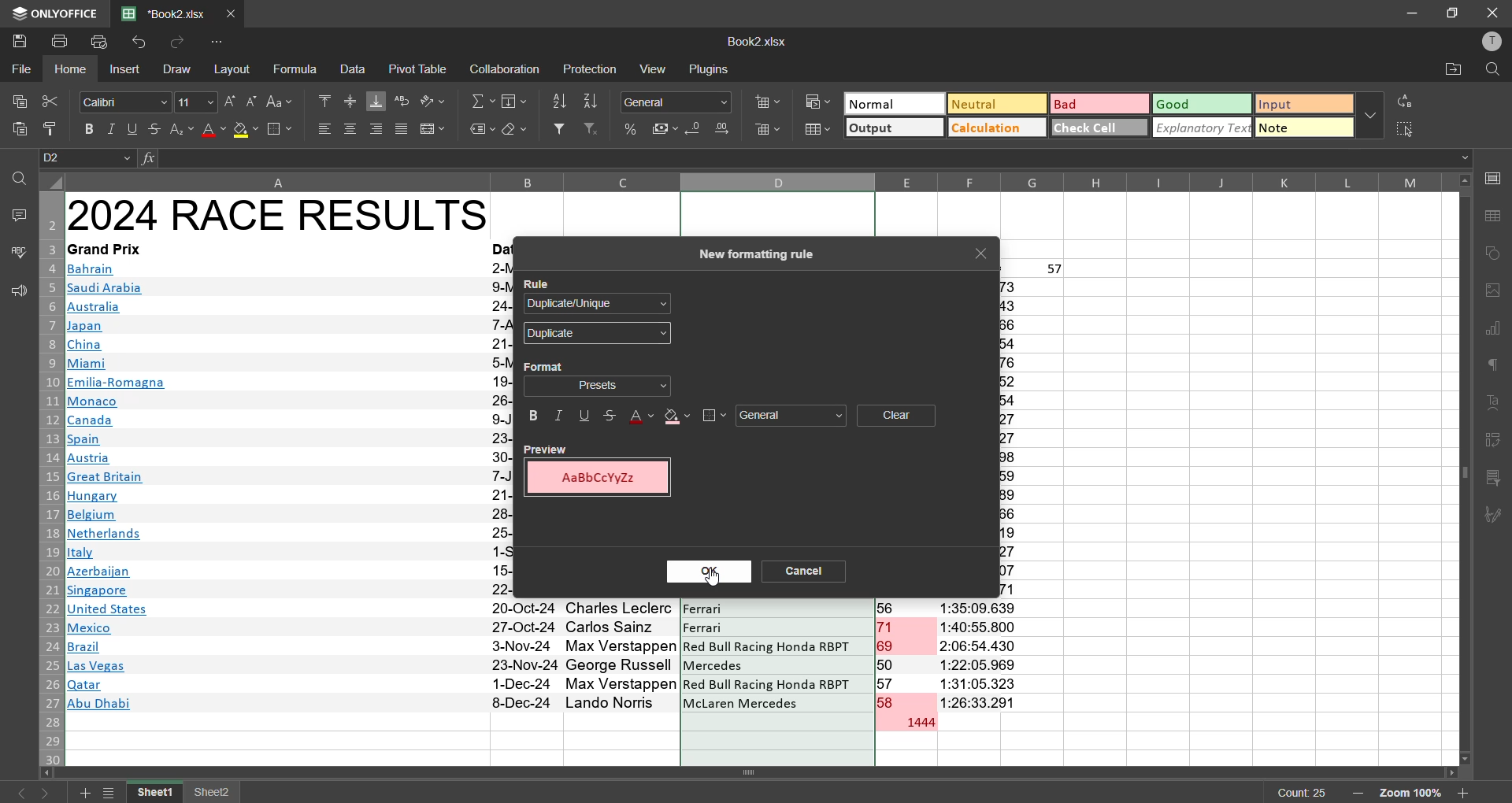 This screenshot has width=1512, height=803. I want to click on file, so click(22, 67).